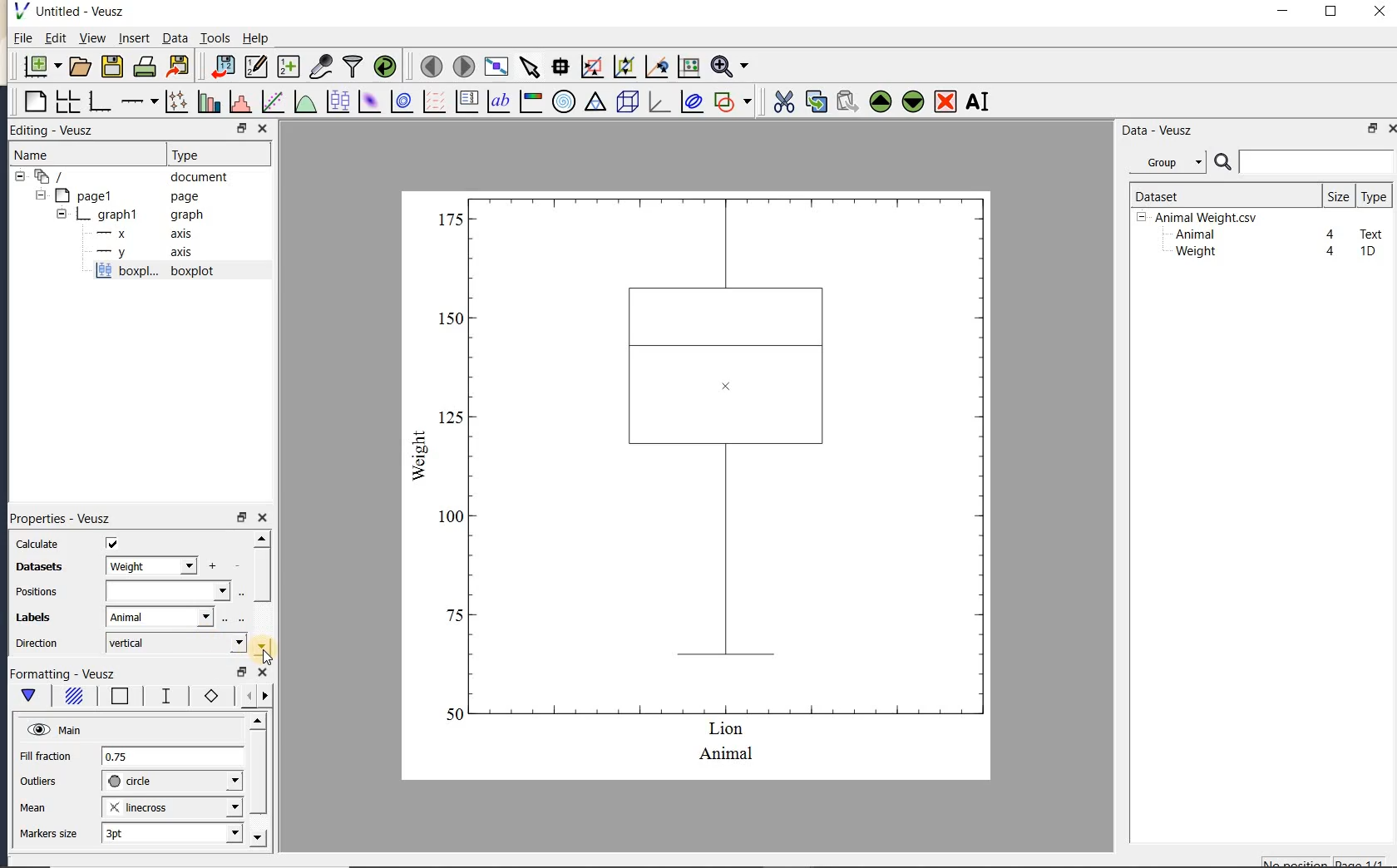  Describe the element at coordinates (174, 273) in the screenshot. I see `boxplot` at that location.